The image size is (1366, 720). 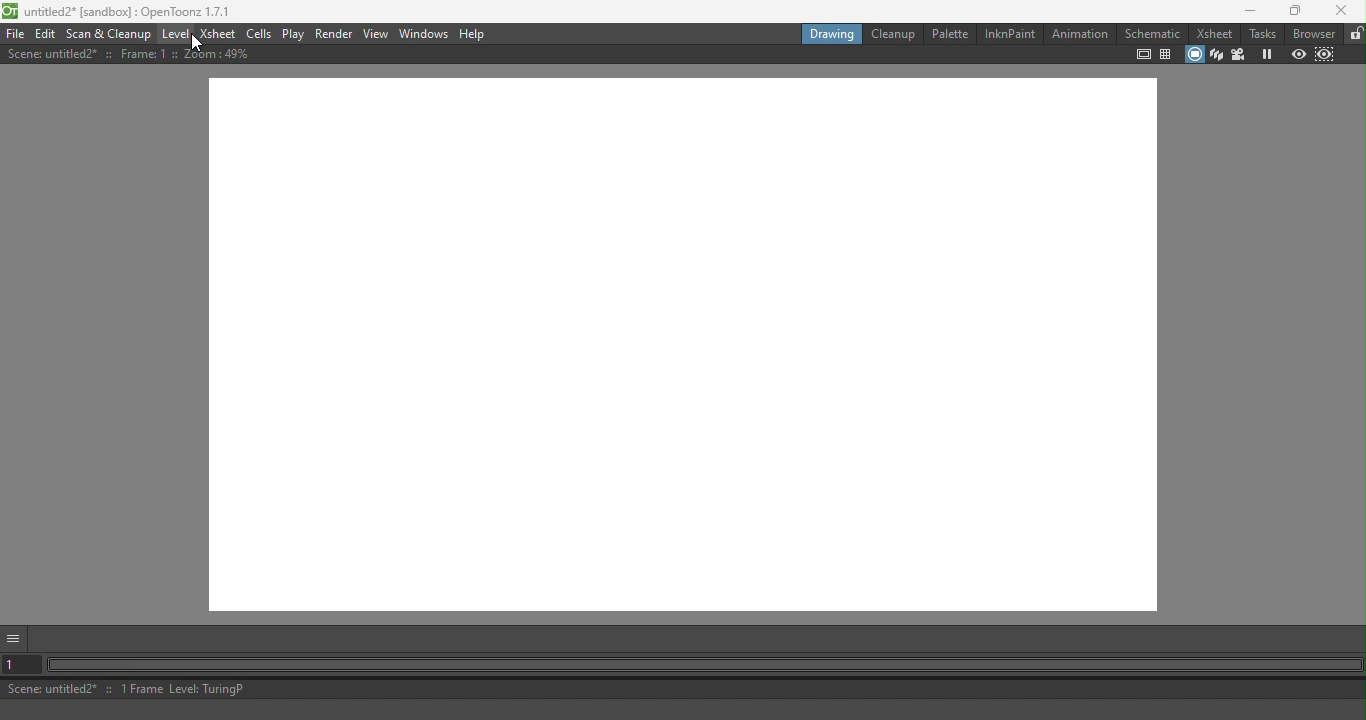 I want to click on Set the current frame, so click(x=20, y=667).